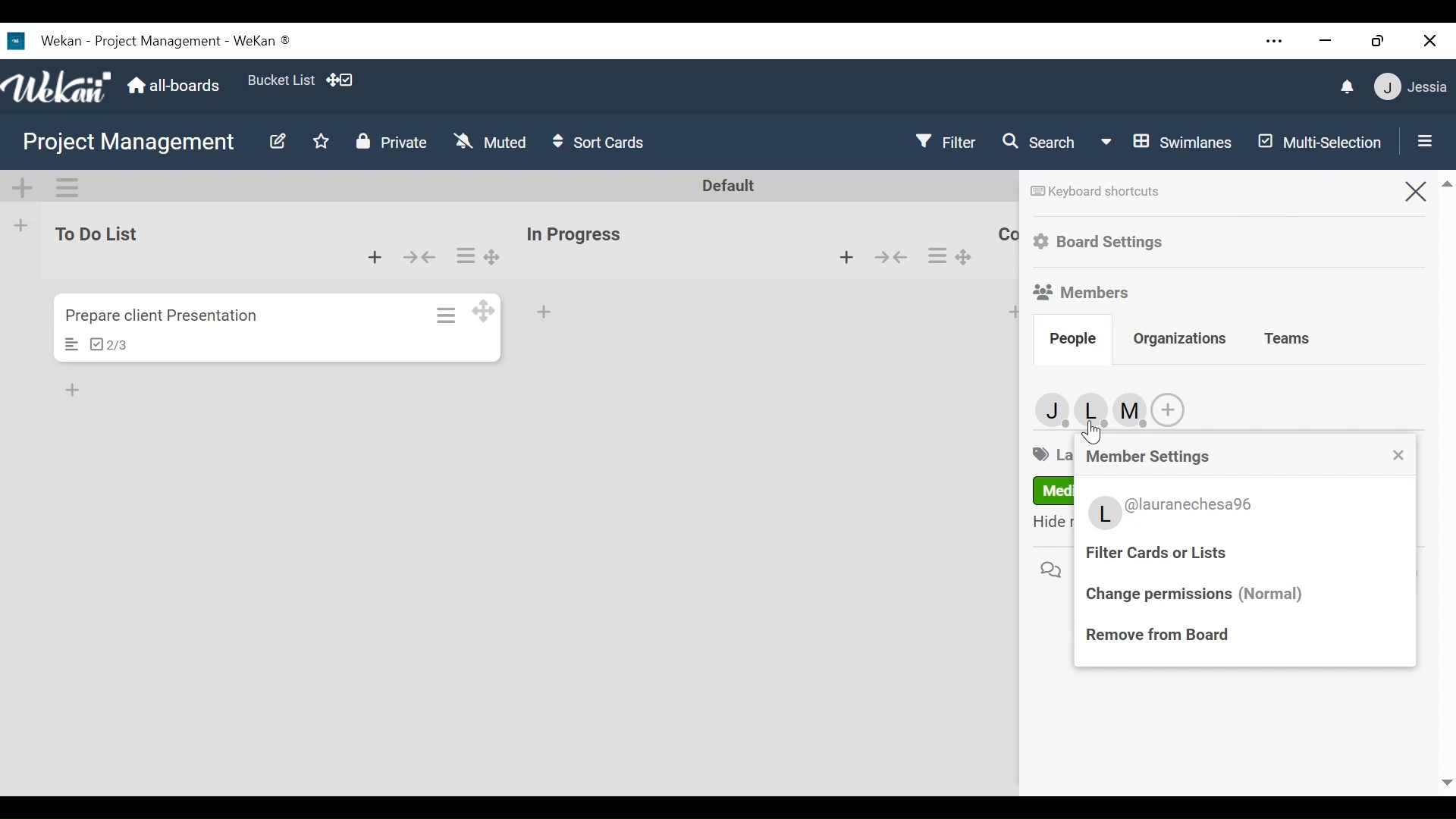 The image size is (1456, 819). I want to click on List Title, so click(573, 235).